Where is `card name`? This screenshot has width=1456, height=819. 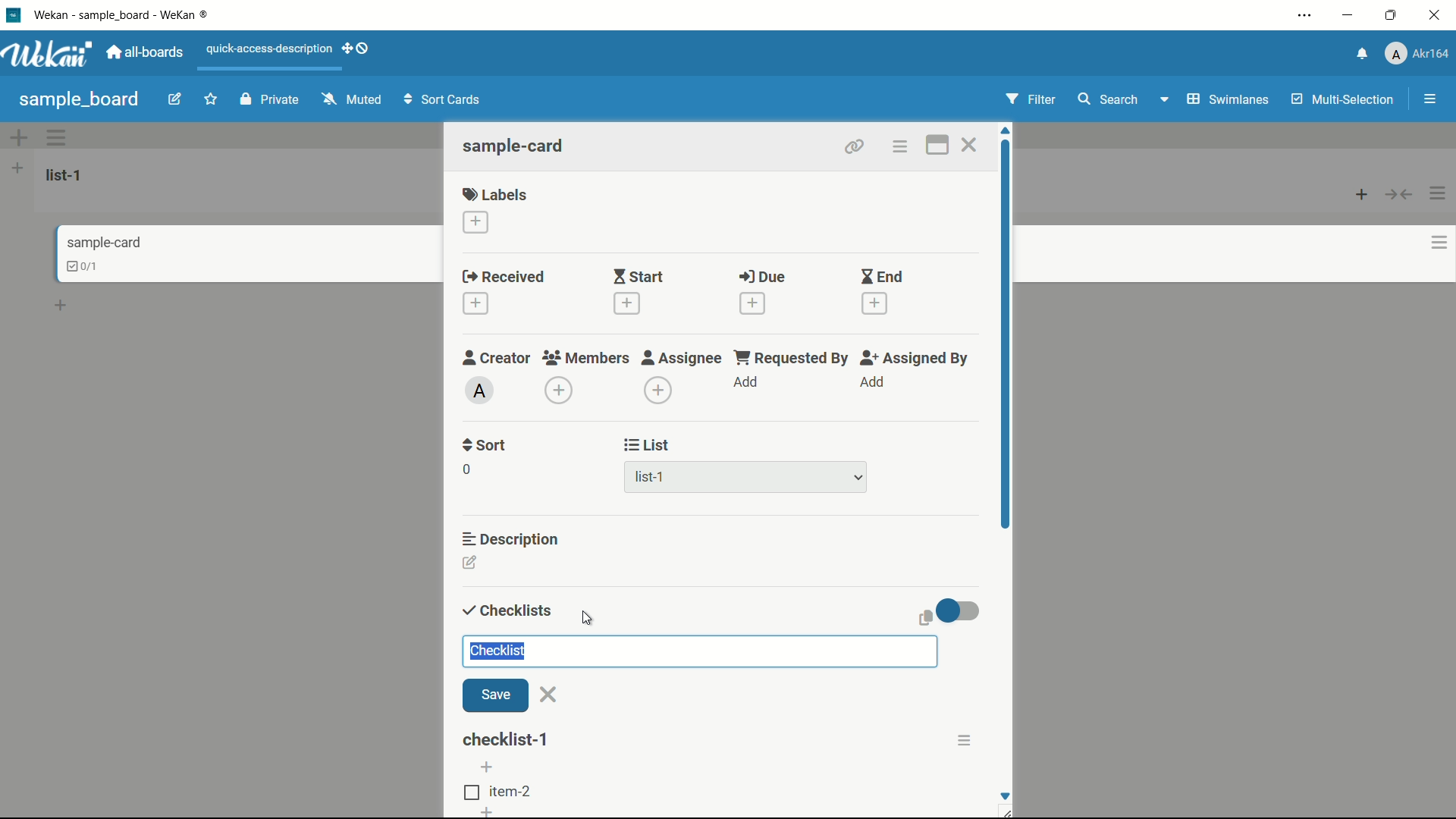 card name is located at coordinates (104, 242).